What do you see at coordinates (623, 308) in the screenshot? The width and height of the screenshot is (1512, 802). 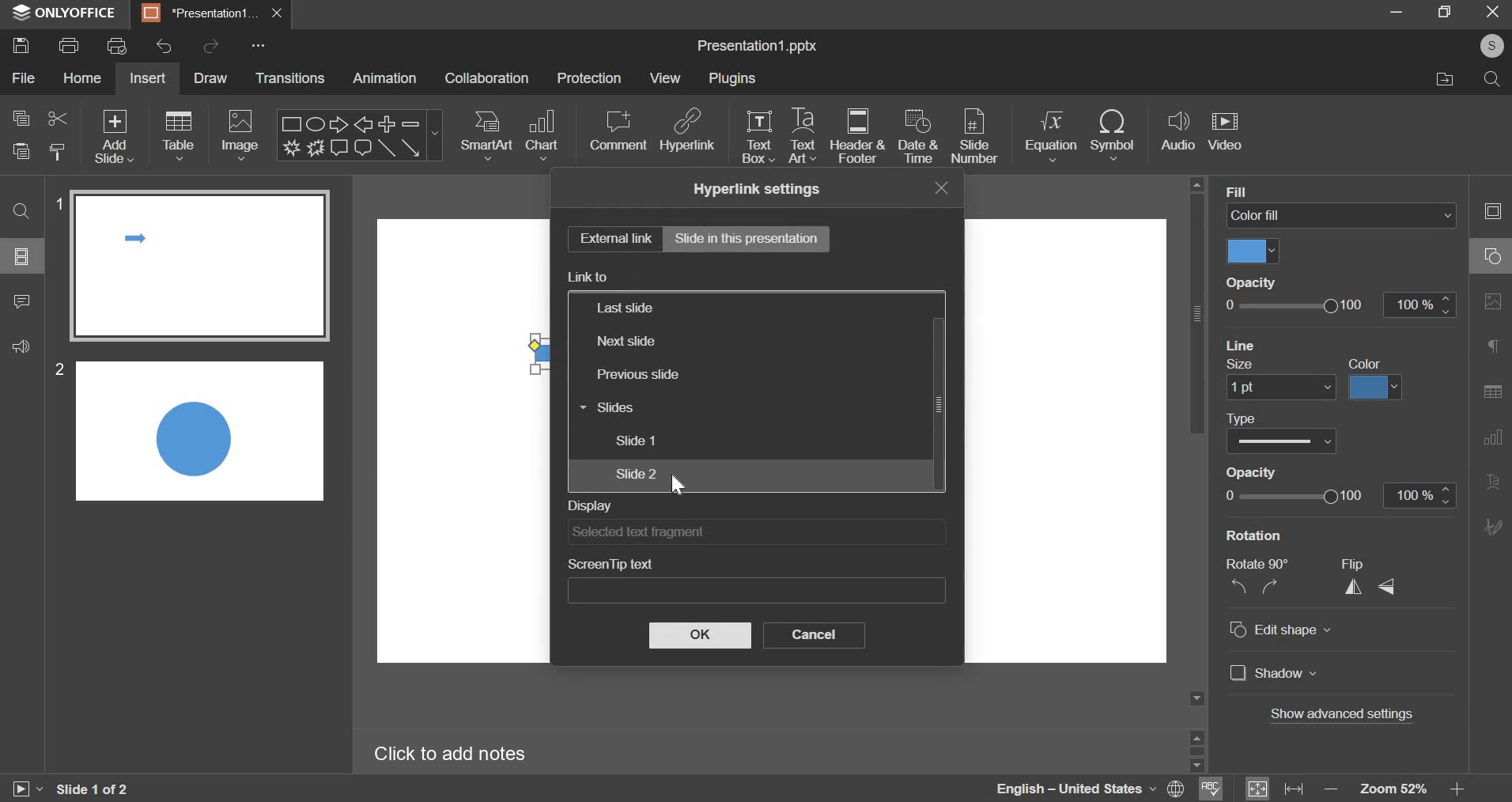 I see `last slide` at bounding box center [623, 308].